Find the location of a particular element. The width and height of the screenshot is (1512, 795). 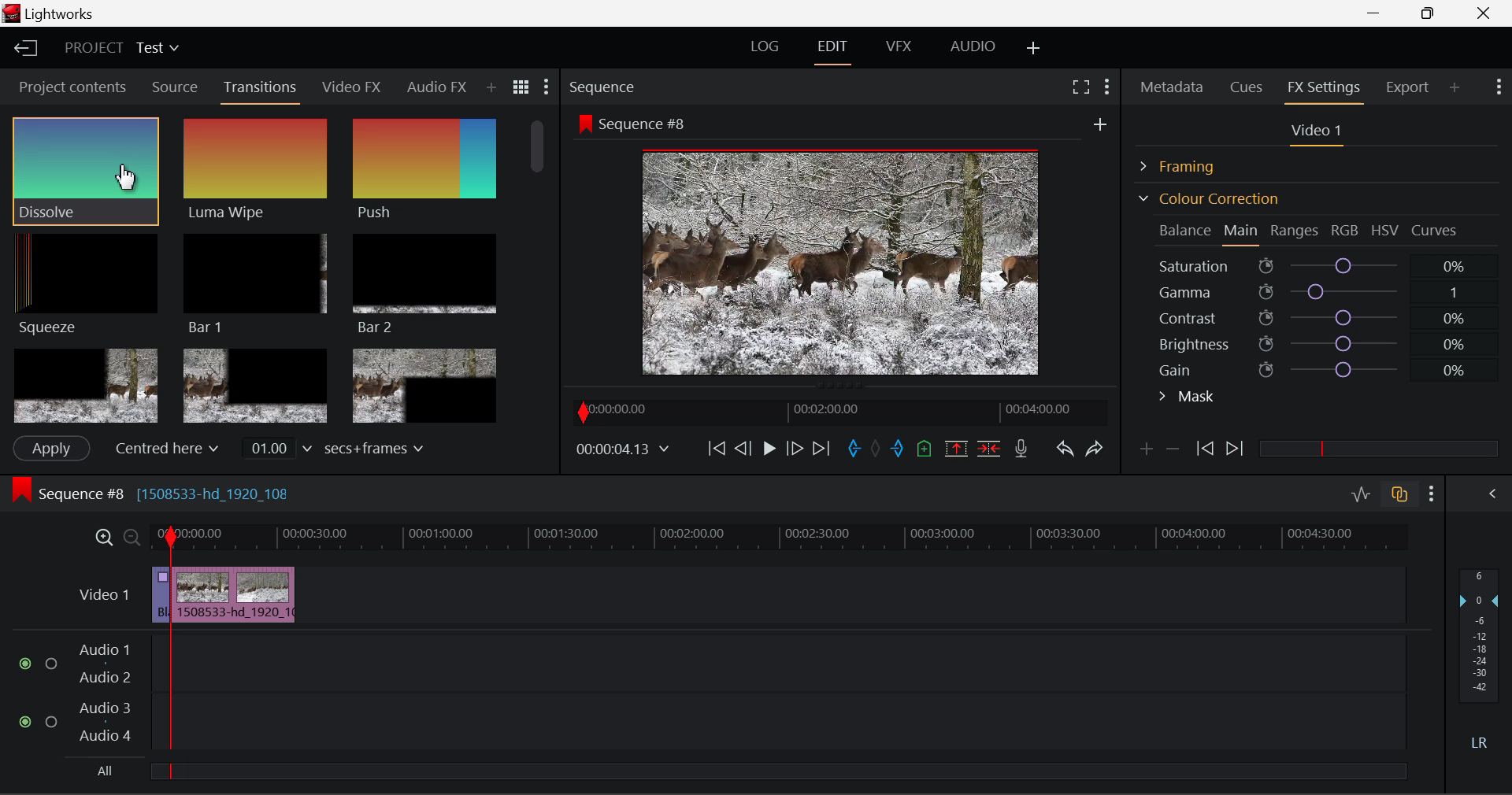

Previous keyframe is located at coordinates (1203, 449).